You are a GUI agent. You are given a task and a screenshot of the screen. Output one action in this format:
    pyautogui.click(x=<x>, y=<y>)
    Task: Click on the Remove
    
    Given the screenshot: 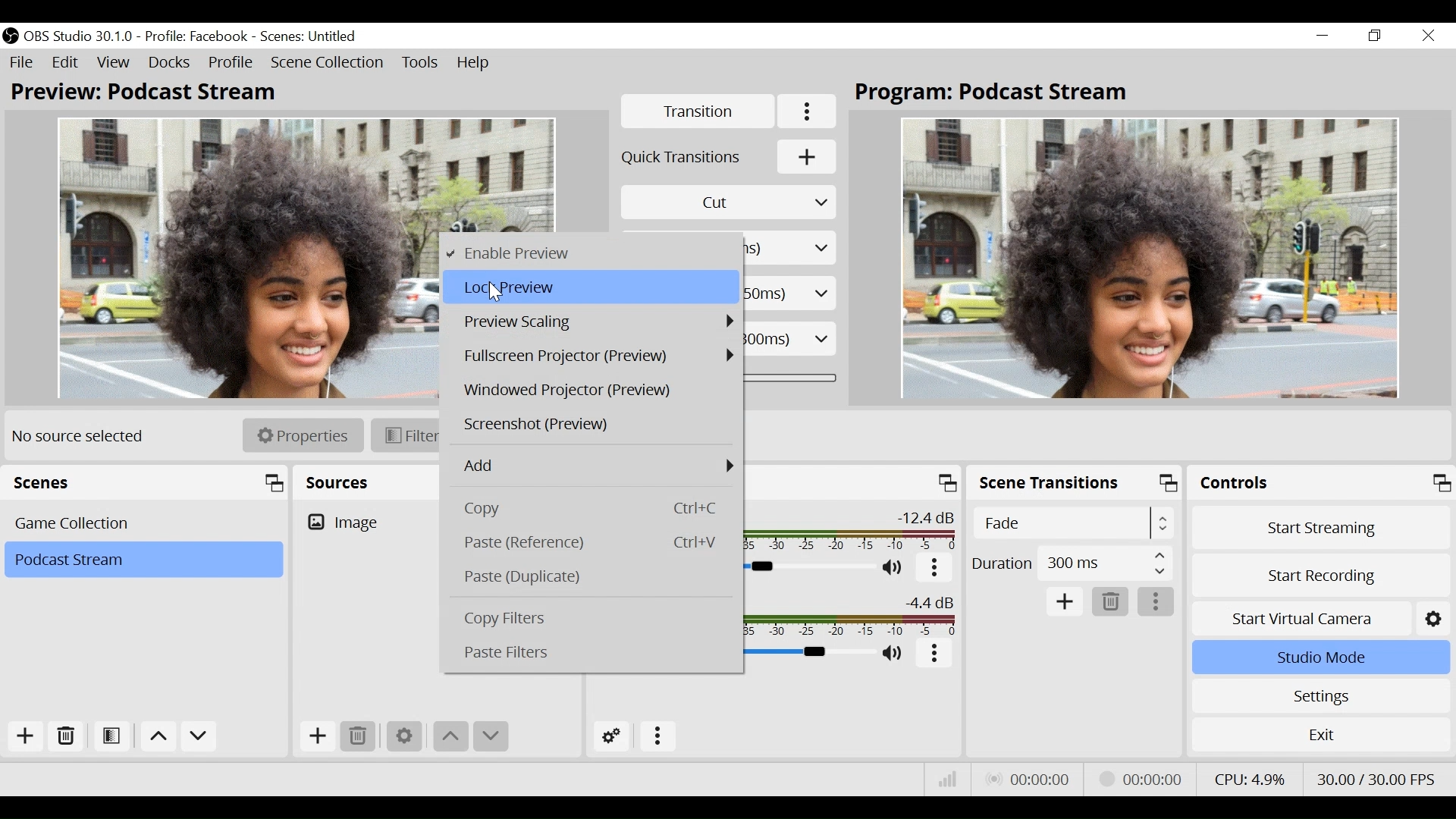 What is the action you would take?
    pyautogui.click(x=64, y=736)
    